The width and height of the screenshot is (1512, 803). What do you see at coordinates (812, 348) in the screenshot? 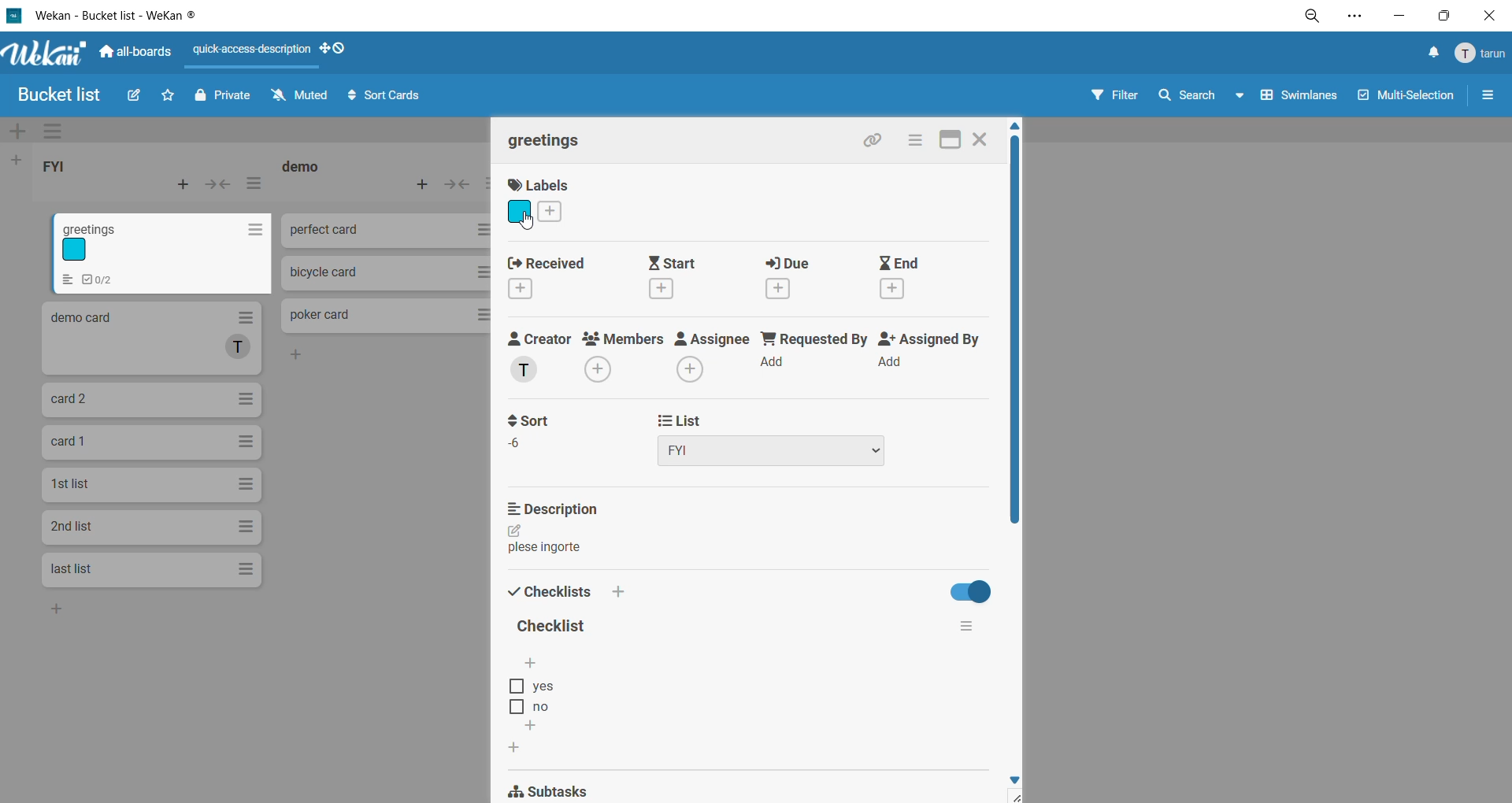
I see `requested by` at bounding box center [812, 348].